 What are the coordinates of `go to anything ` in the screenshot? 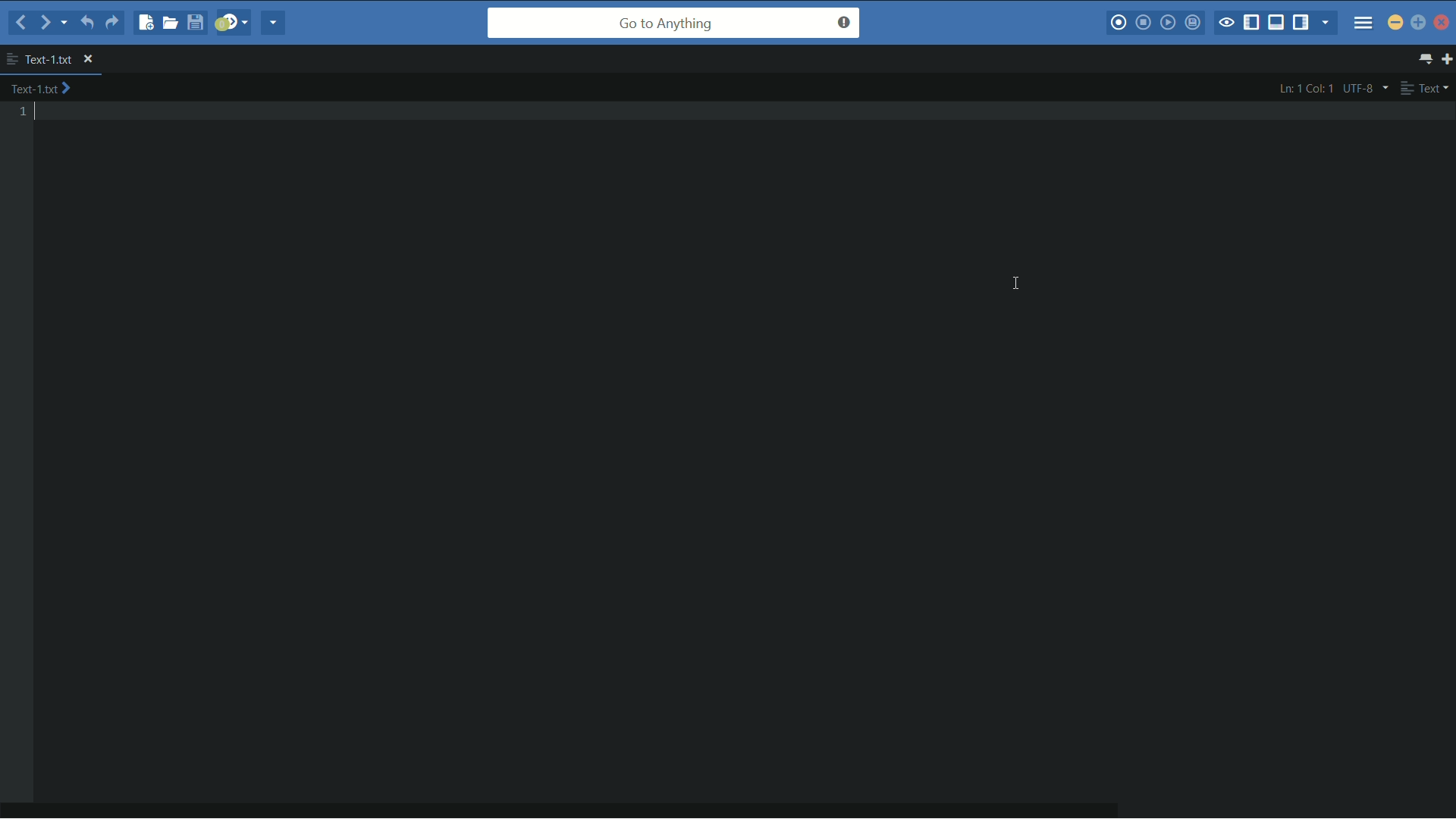 It's located at (674, 24).